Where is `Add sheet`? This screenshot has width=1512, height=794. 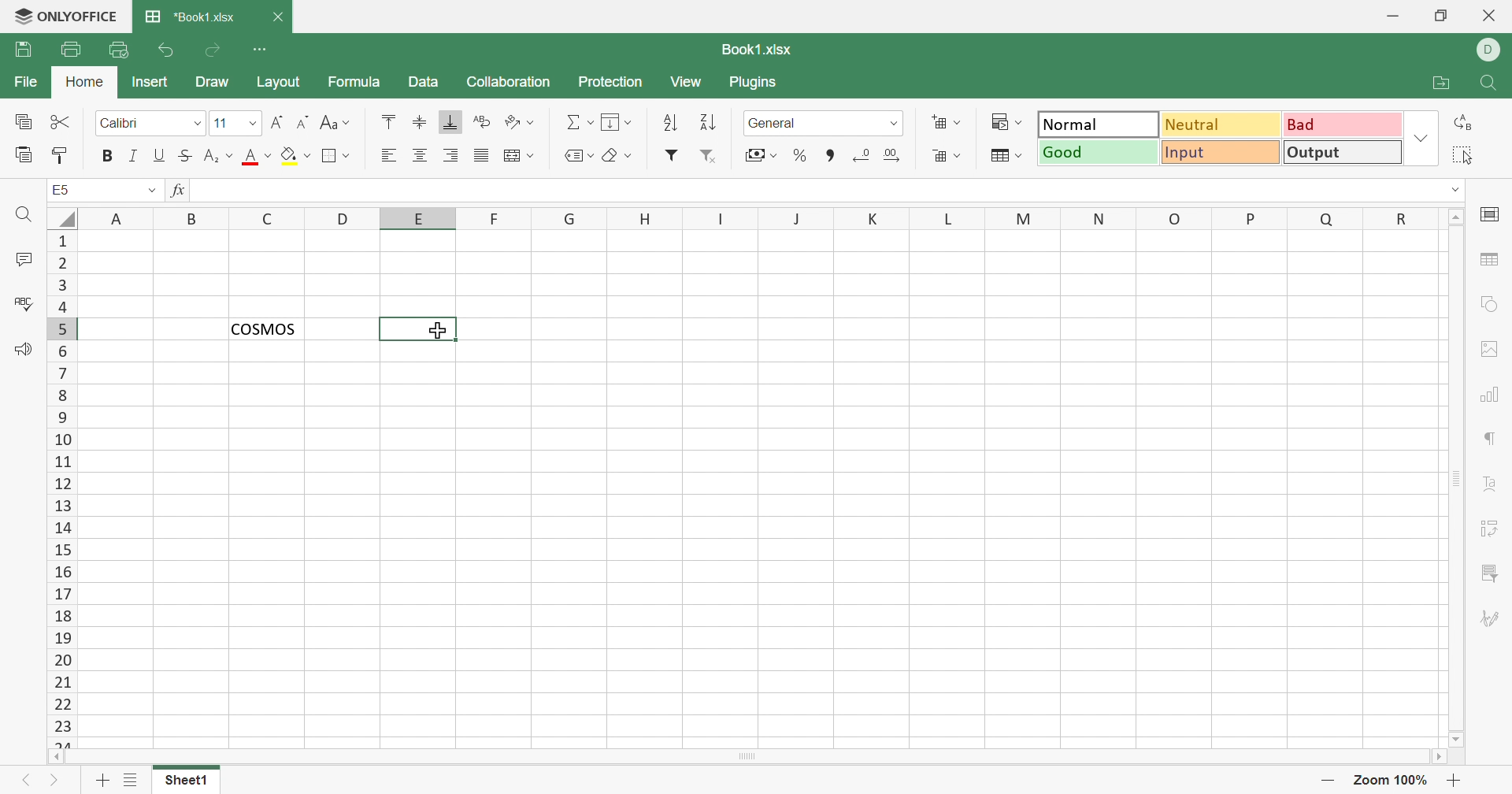
Add sheet is located at coordinates (102, 781).